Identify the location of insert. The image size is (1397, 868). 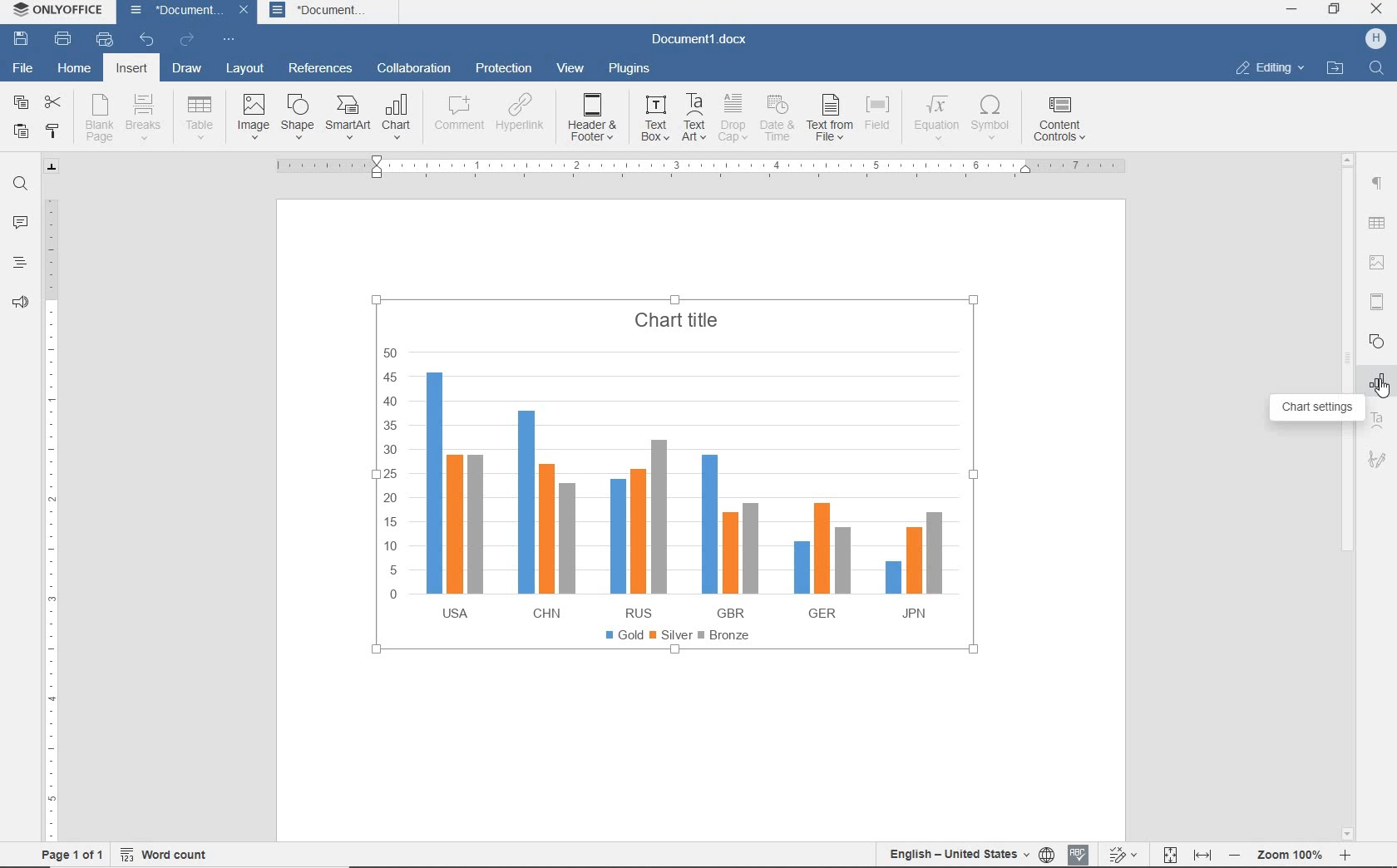
(130, 70).